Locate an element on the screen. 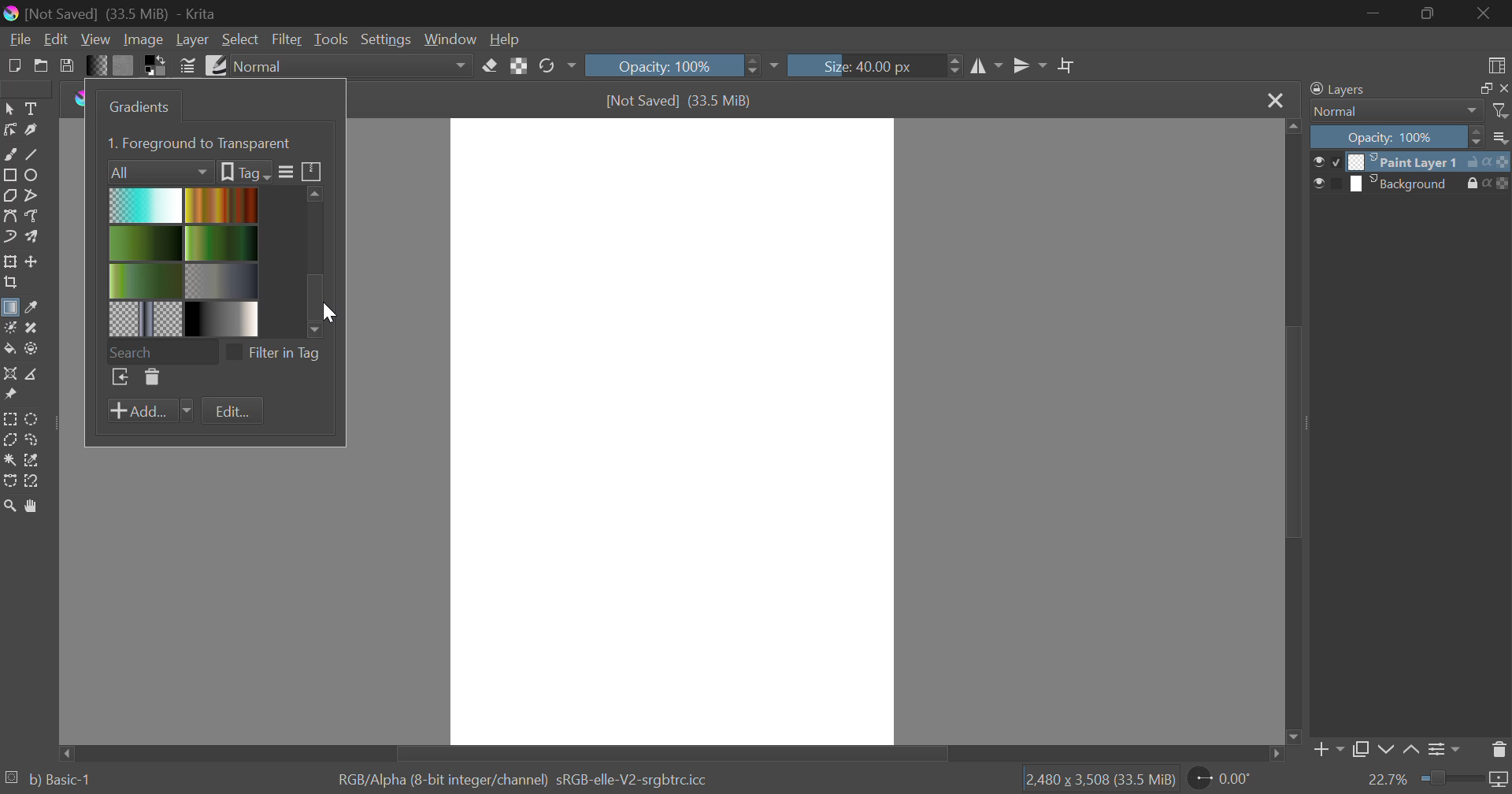 The image size is (1512, 794). Eraser is located at coordinates (491, 64).